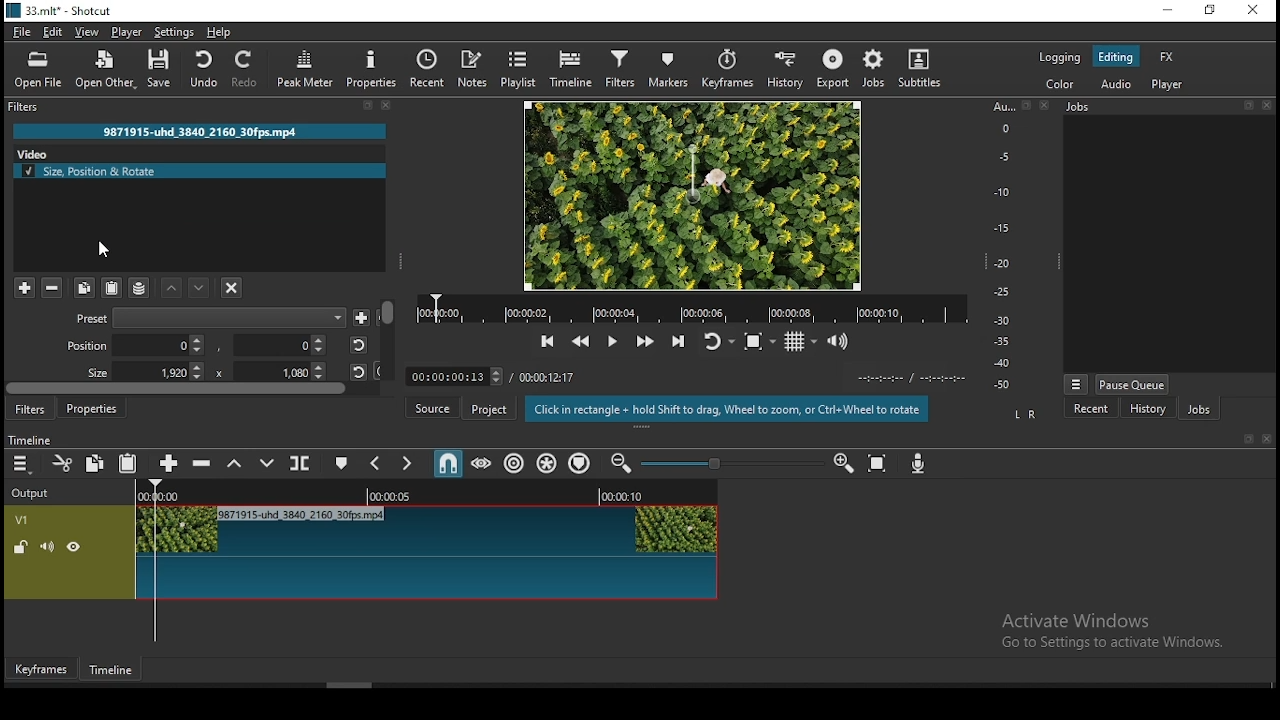 The image size is (1280, 720). What do you see at coordinates (200, 288) in the screenshot?
I see `move filter down` at bounding box center [200, 288].